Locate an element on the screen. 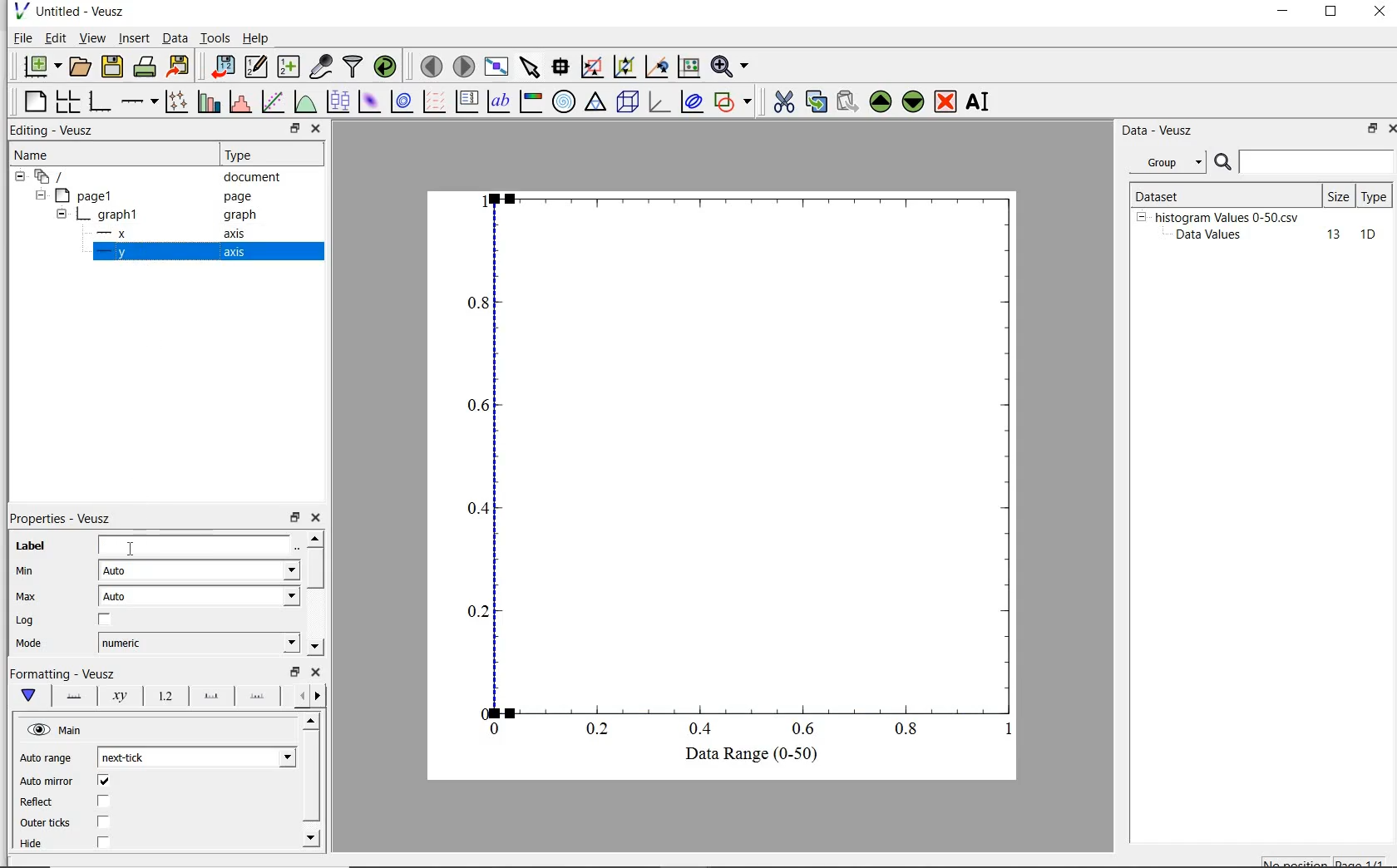  next tick is located at coordinates (196, 757).